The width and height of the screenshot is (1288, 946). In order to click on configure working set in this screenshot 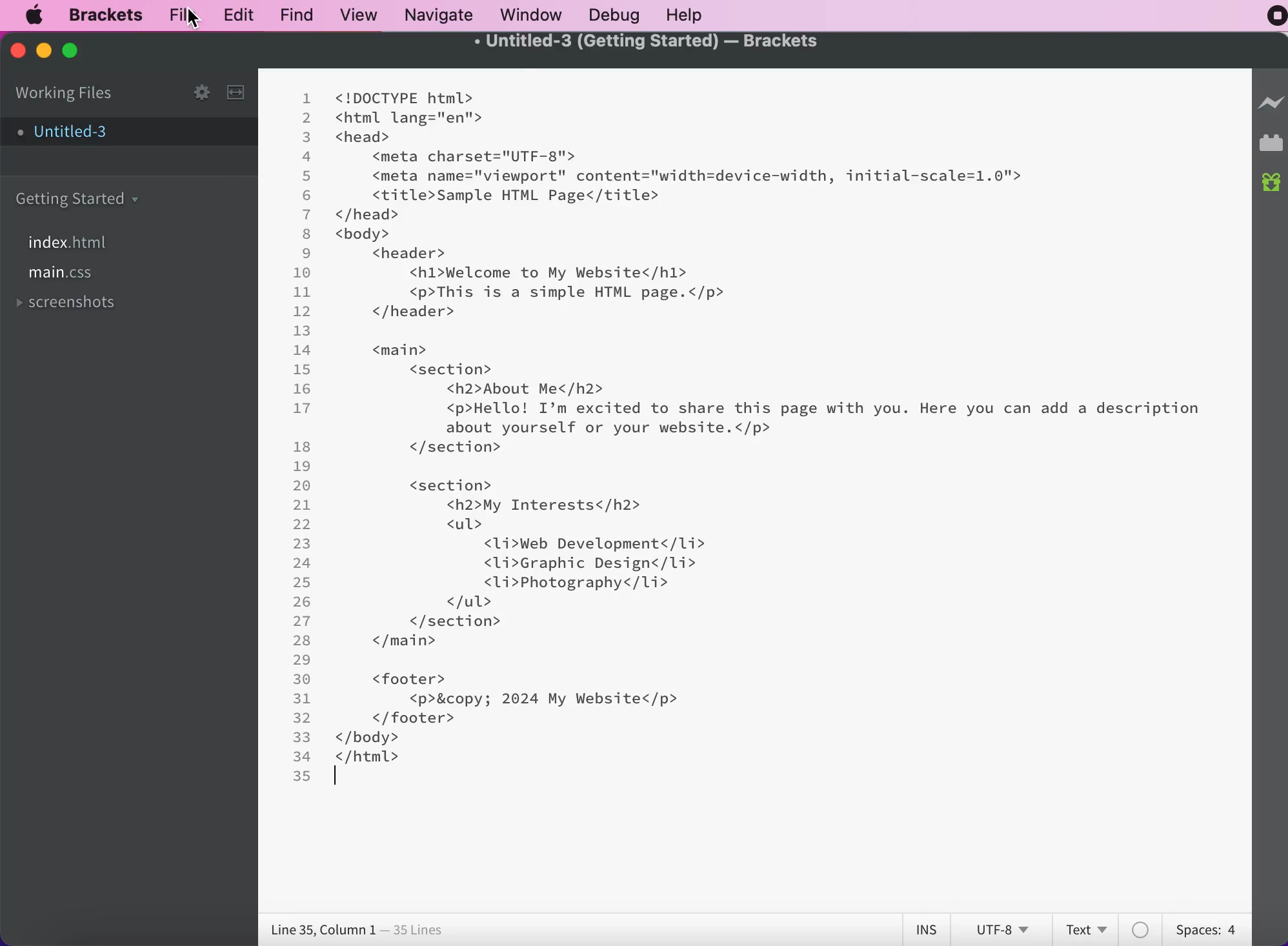, I will do `click(197, 90)`.